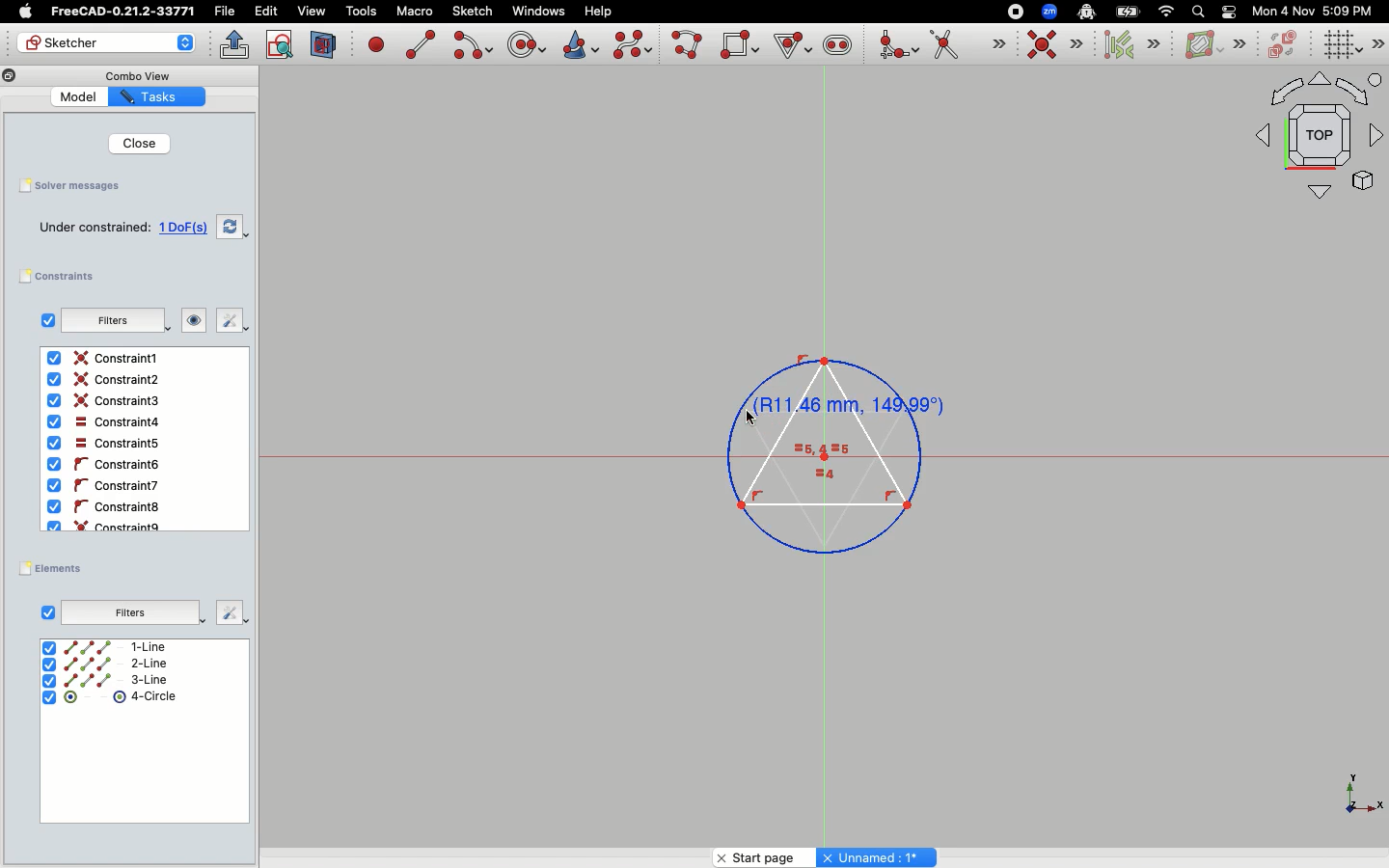  Describe the element at coordinates (281, 45) in the screenshot. I see `View sketch` at that location.